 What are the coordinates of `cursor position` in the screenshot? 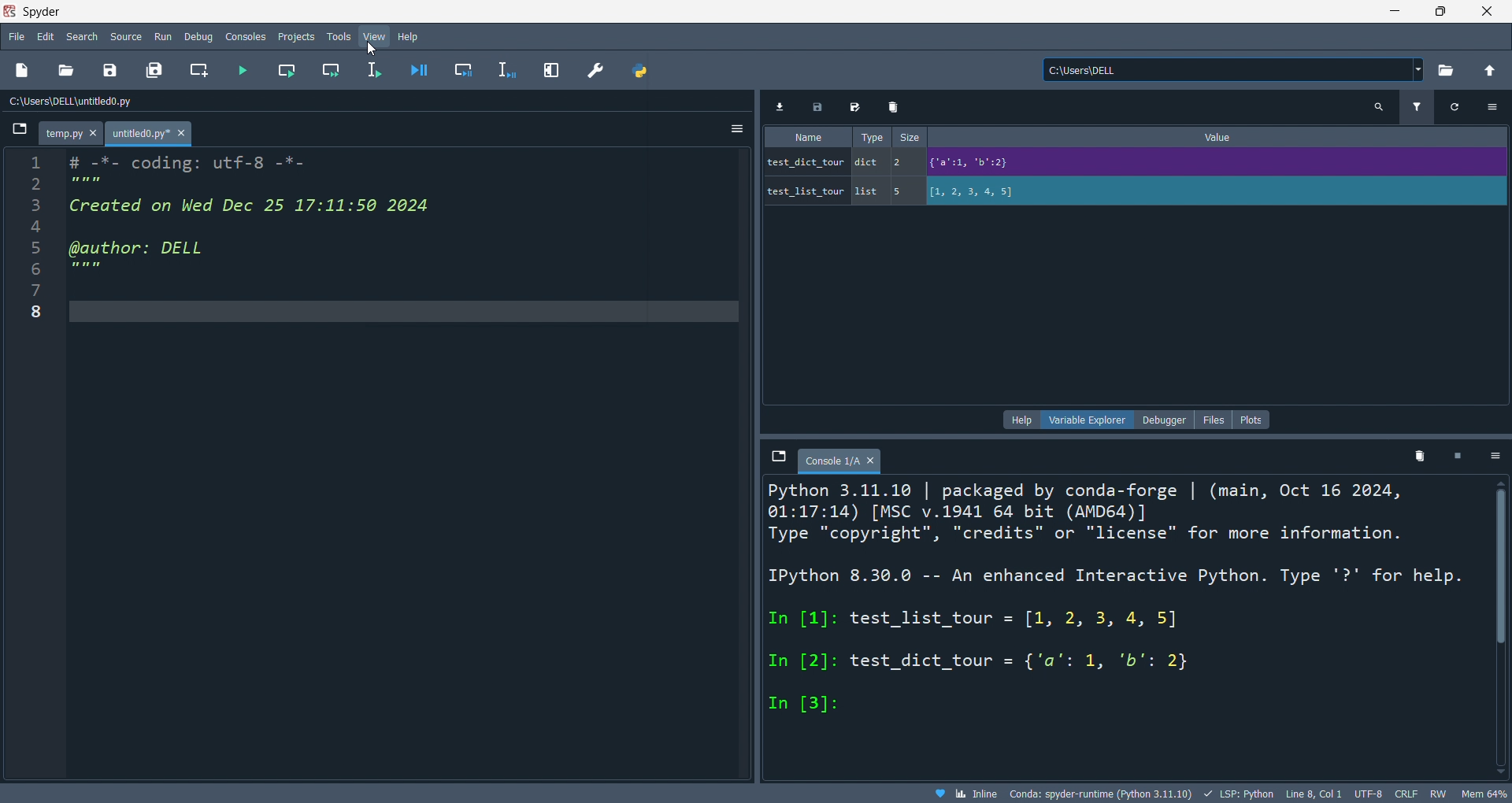 It's located at (1313, 794).